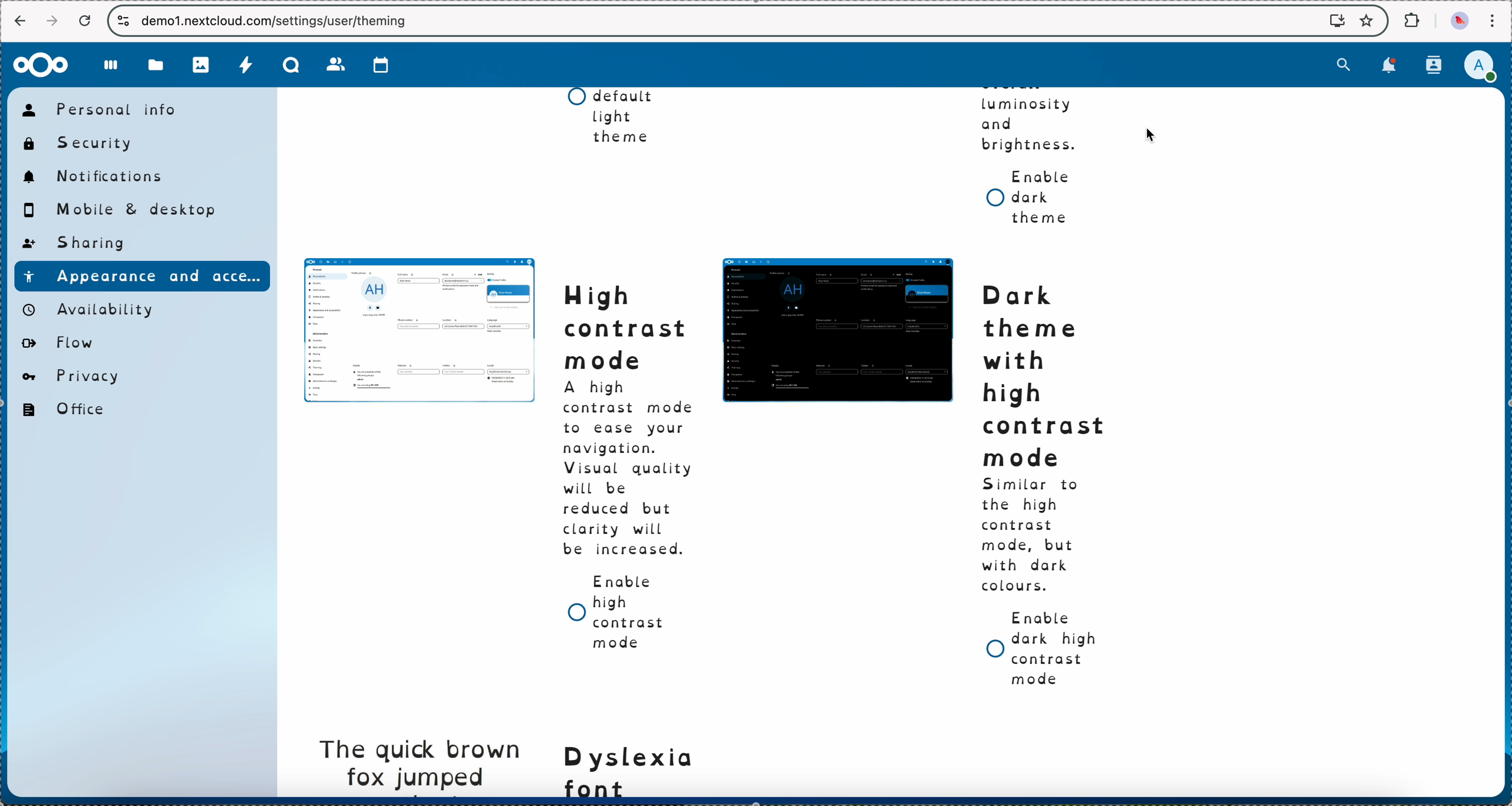 This screenshot has height=806, width=1512. Describe the element at coordinates (1496, 18) in the screenshot. I see `customize and control Google Chrome` at that location.